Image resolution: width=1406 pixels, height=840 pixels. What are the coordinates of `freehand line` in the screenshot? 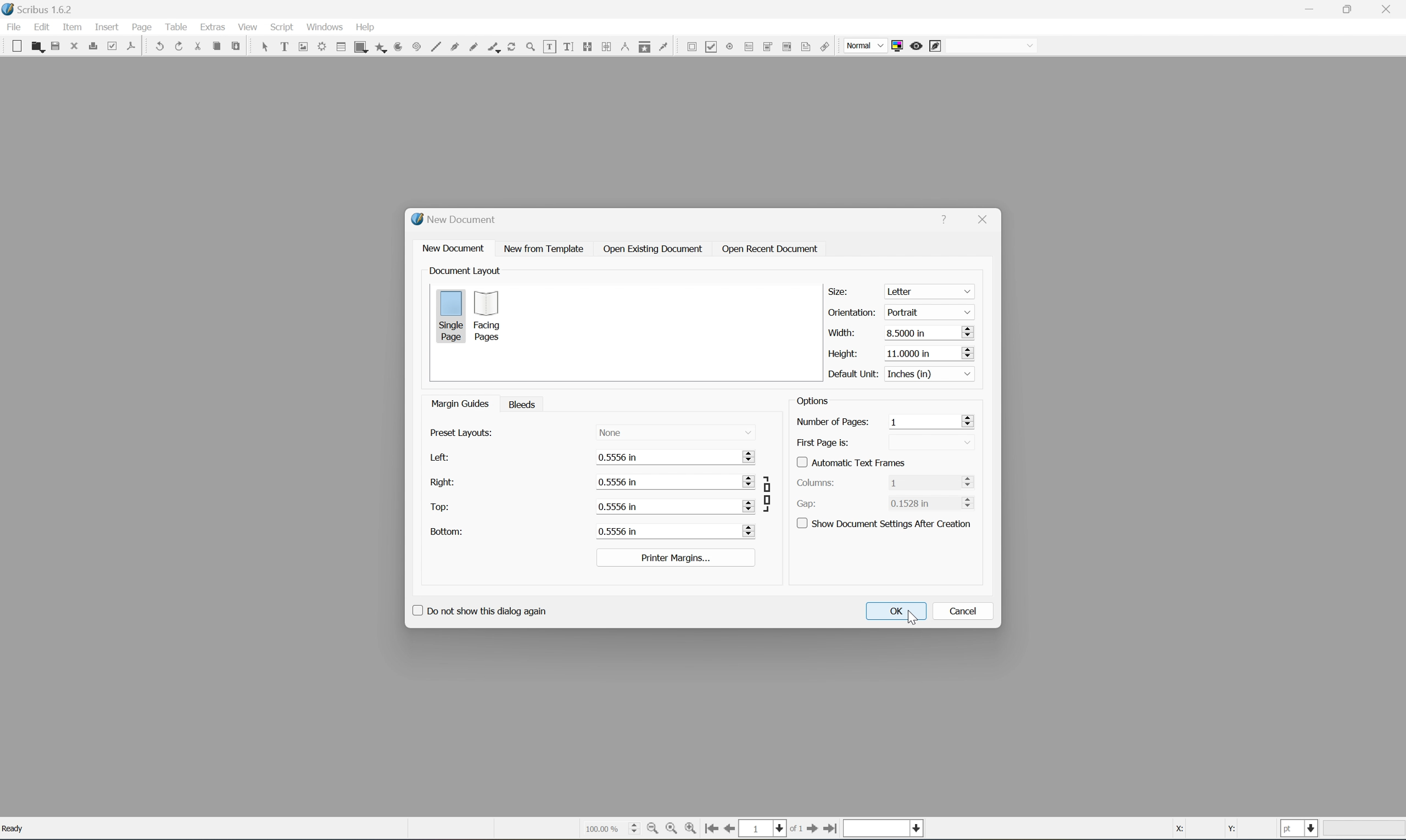 It's located at (475, 46).